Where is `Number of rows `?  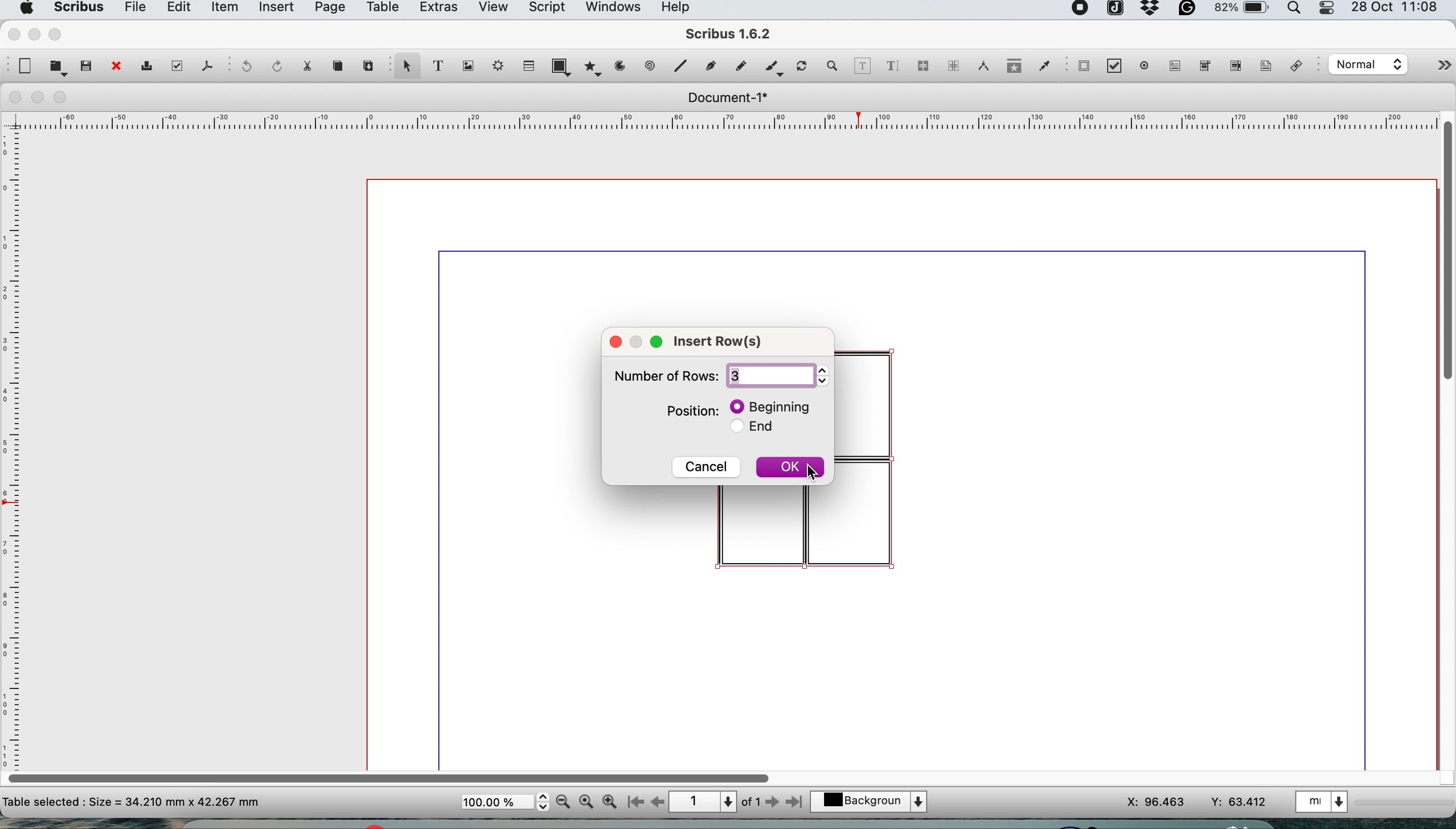 Number of rows  is located at coordinates (663, 379).